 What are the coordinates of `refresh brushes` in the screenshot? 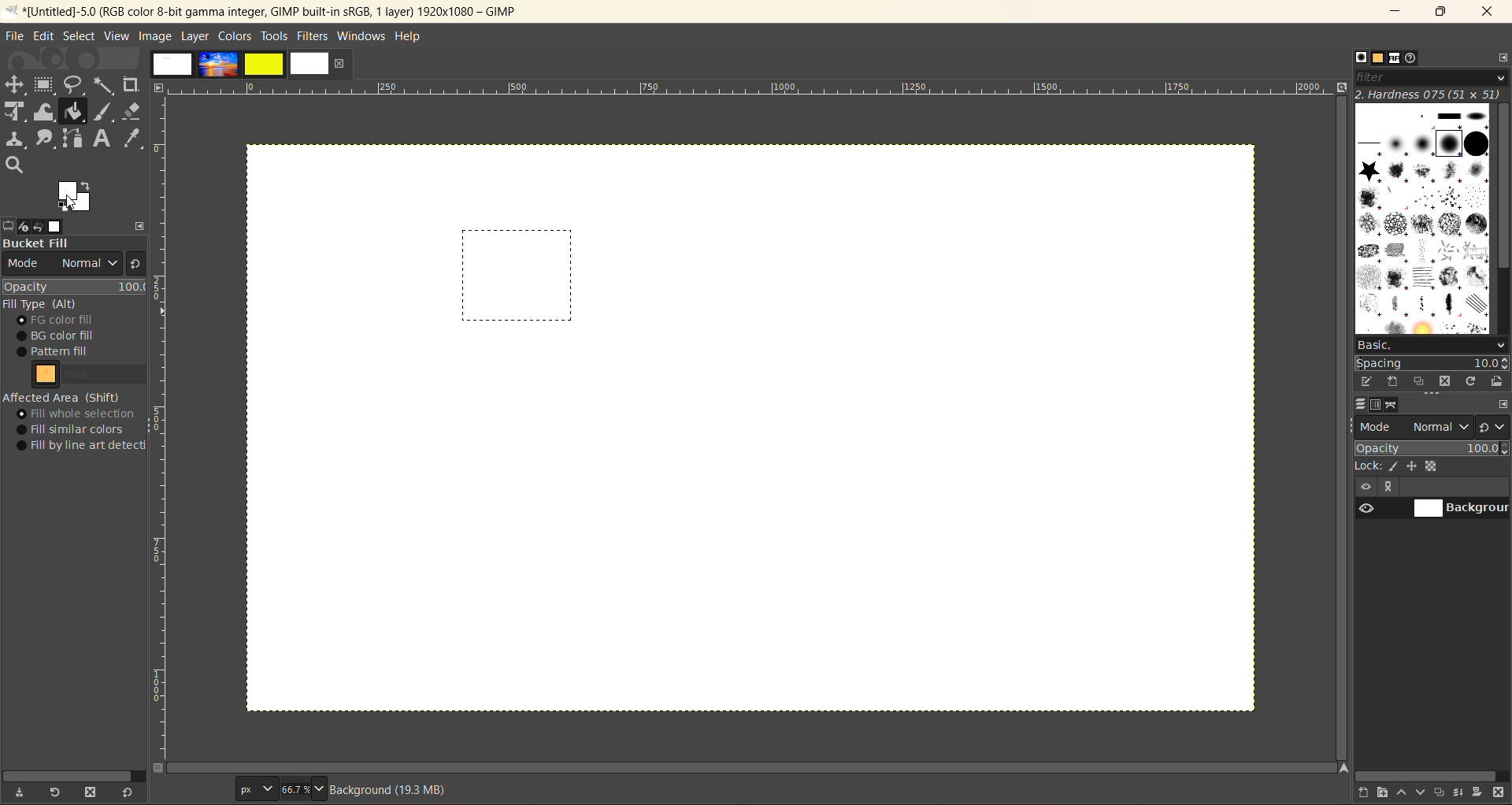 It's located at (1470, 381).